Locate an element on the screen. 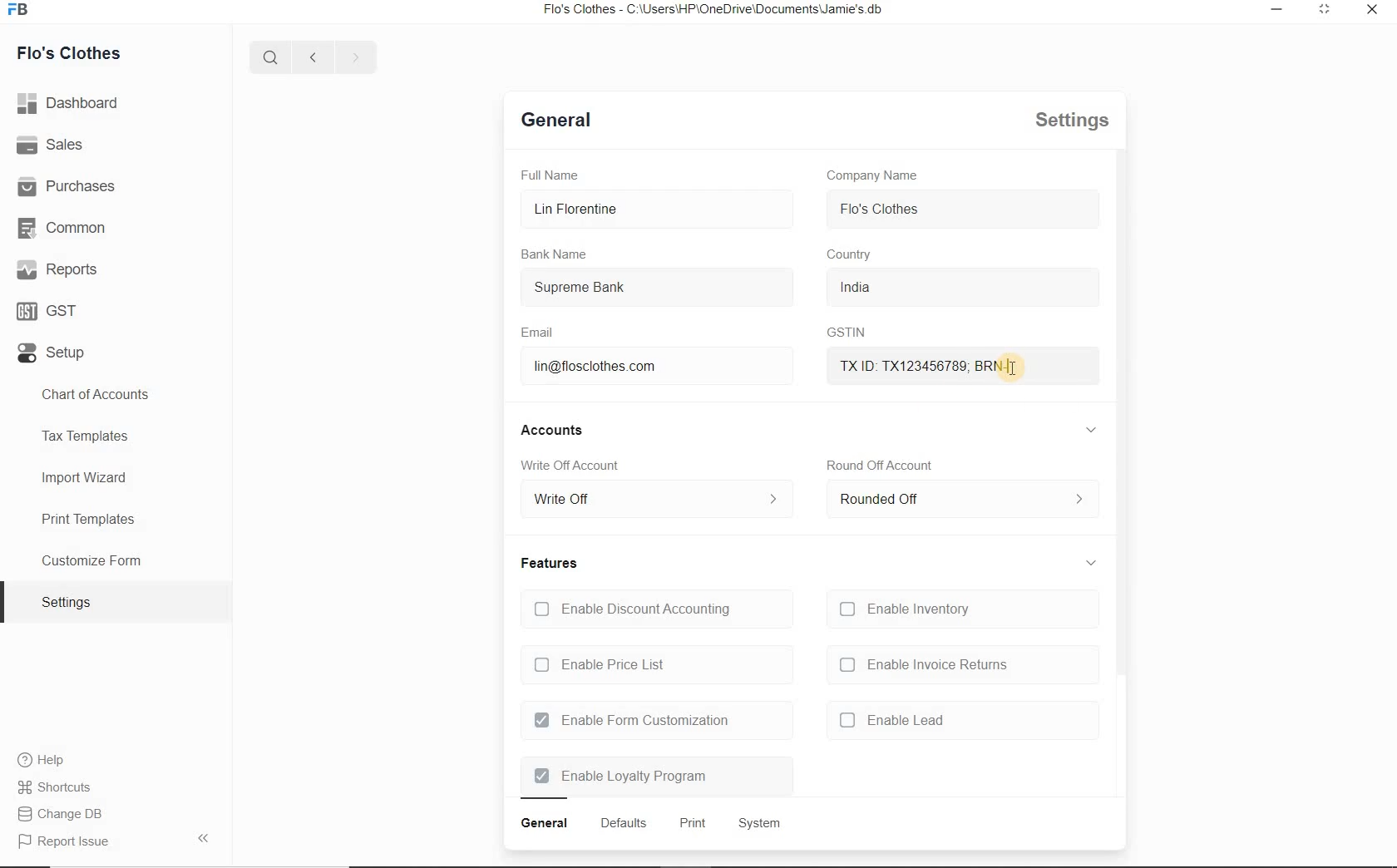  flo's clothes is located at coordinates (881, 209).